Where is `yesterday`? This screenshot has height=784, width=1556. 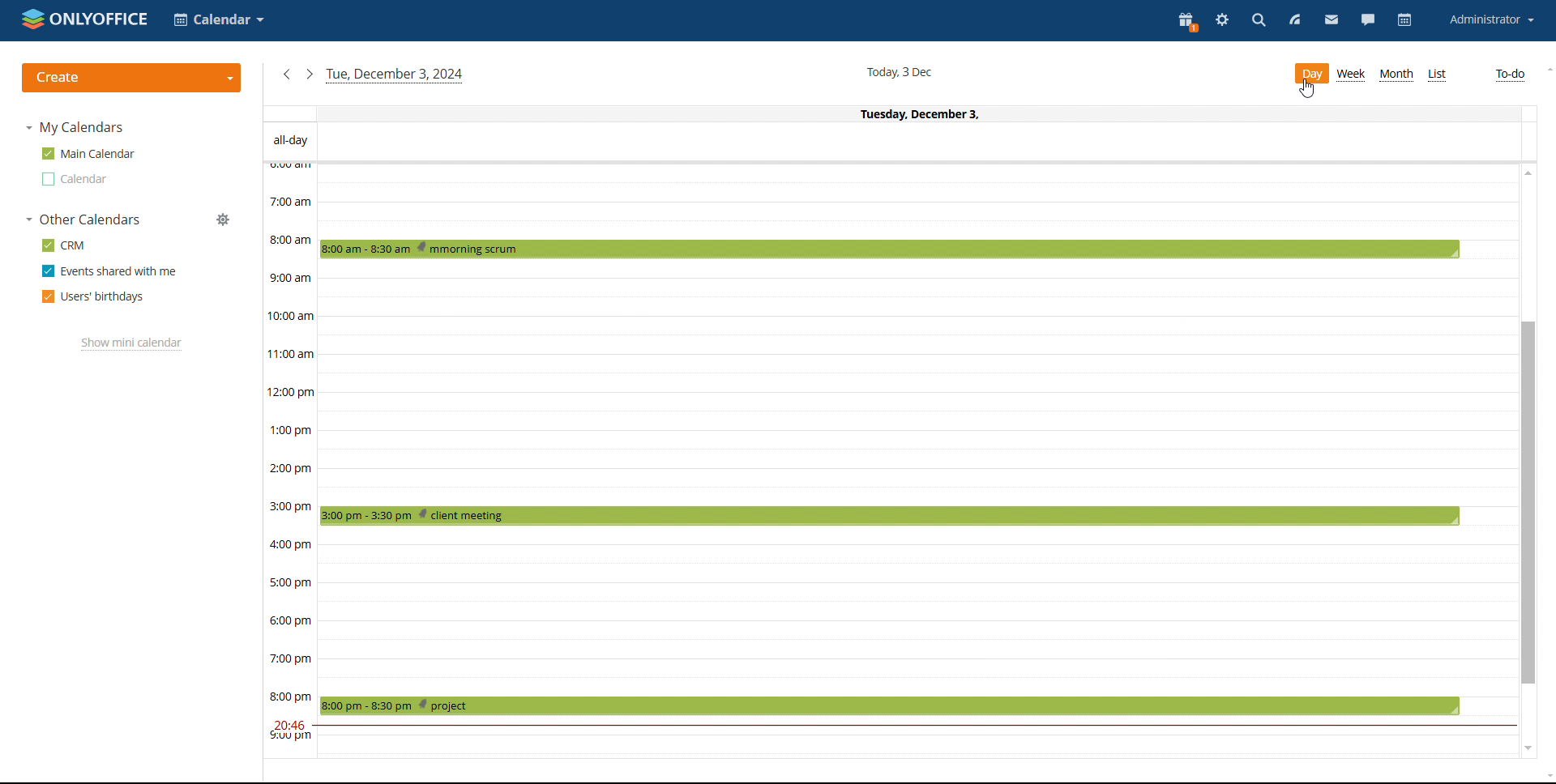
yesterday is located at coordinates (286, 74).